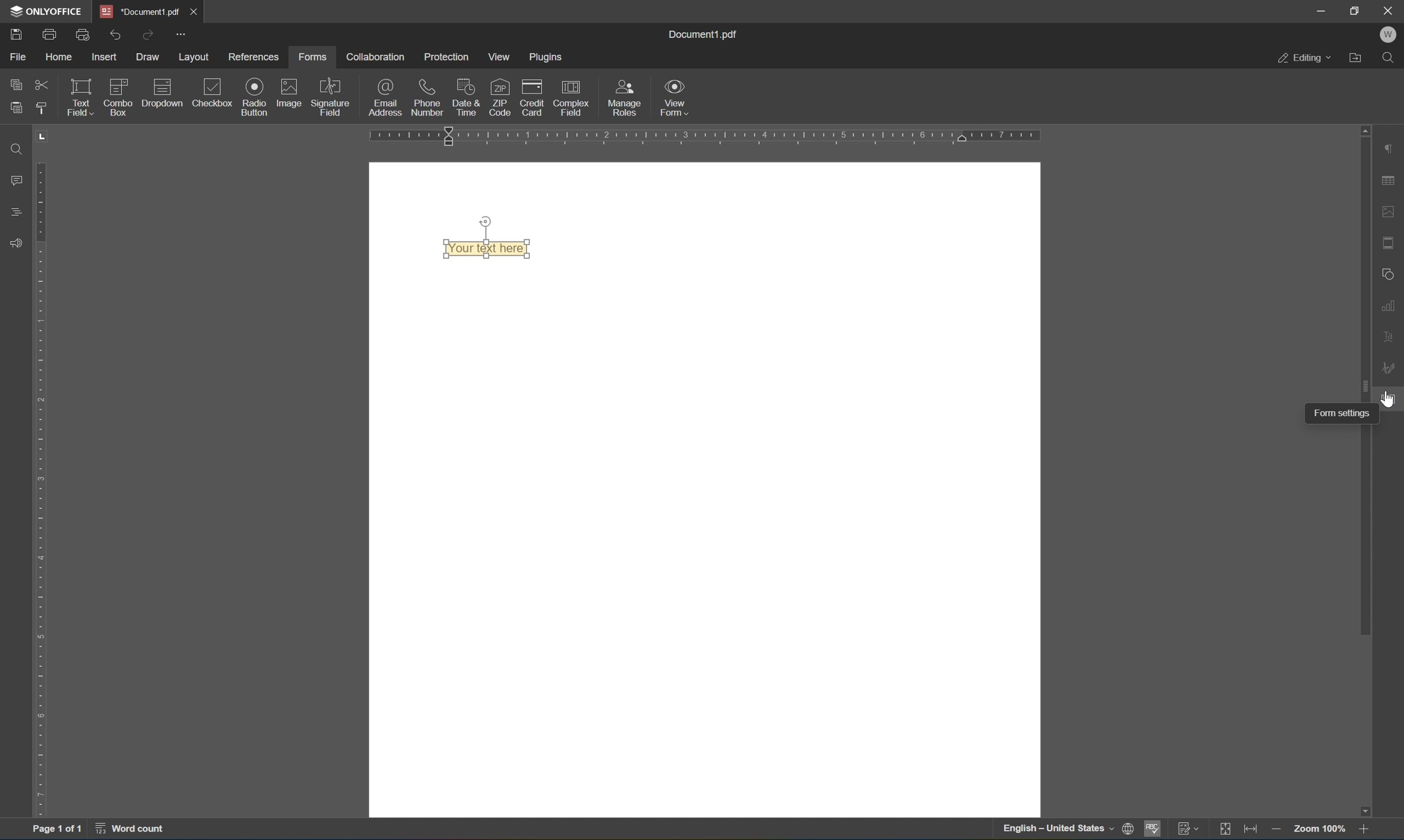 This screenshot has width=1404, height=840. I want to click on form settings, so click(1390, 398).